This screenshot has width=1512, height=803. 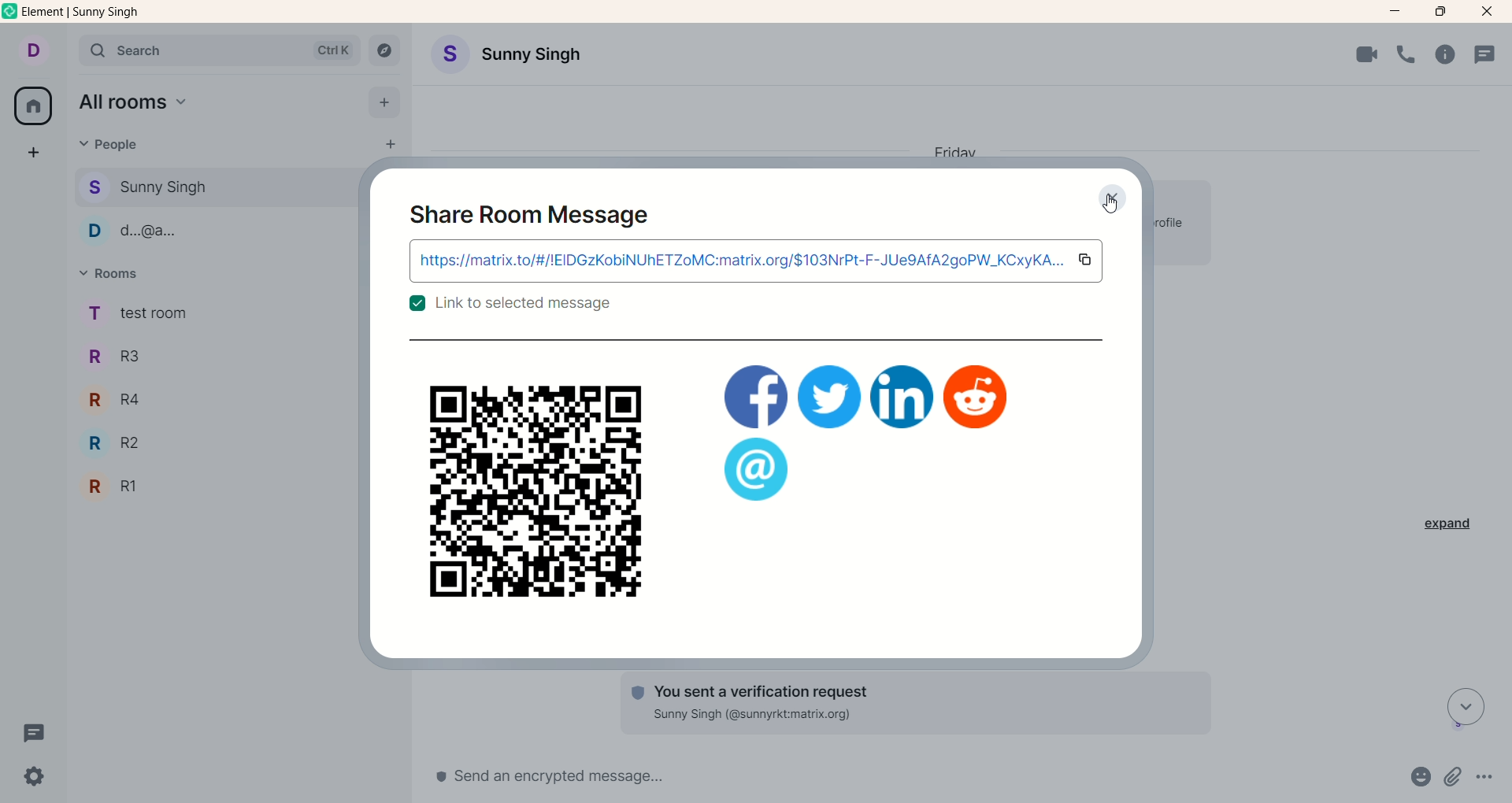 I want to click on link, so click(x=738, y=263).